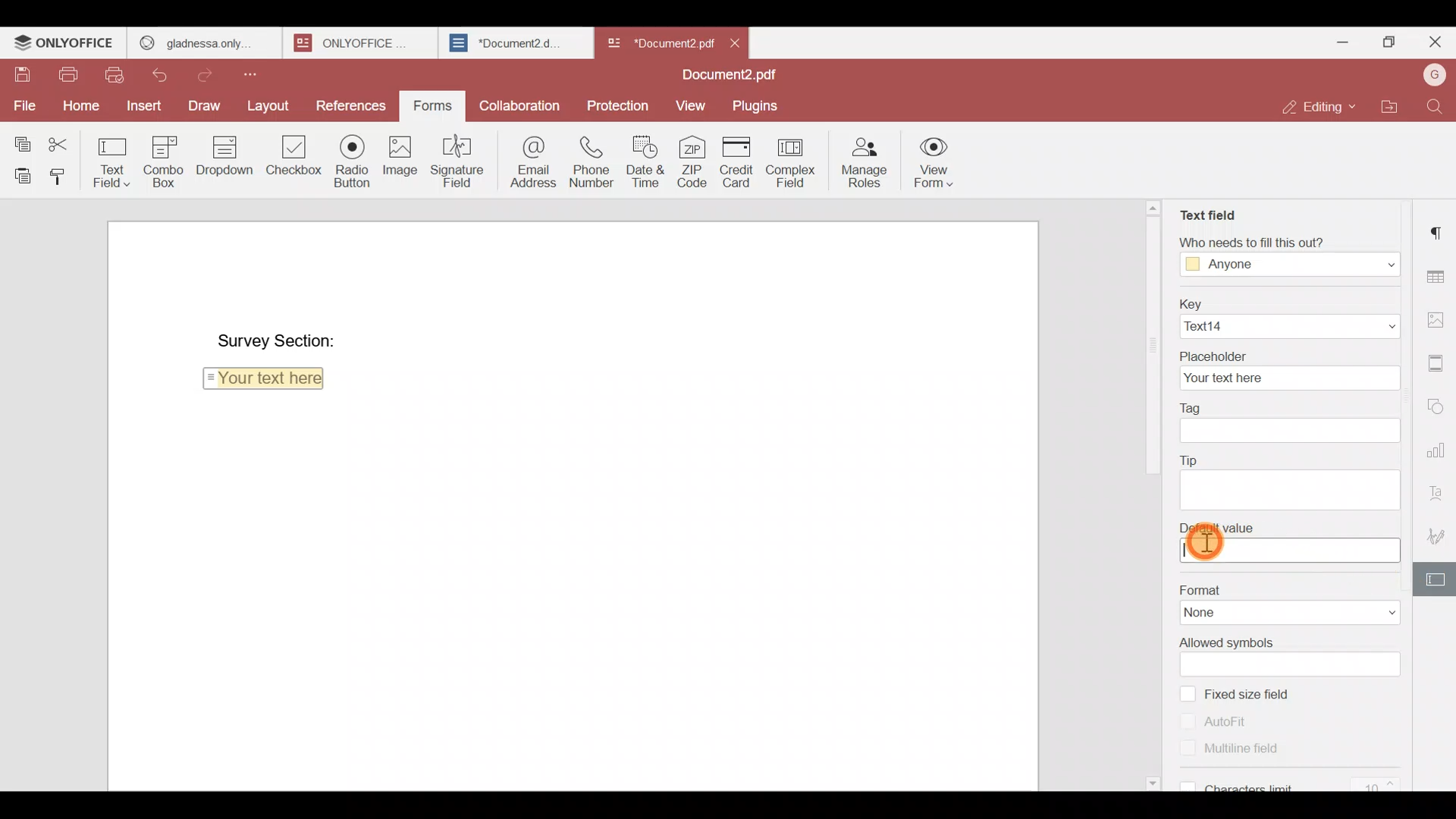 This screenshot has width=1456, height=819. I want to click on Forms, so click(427, 106).